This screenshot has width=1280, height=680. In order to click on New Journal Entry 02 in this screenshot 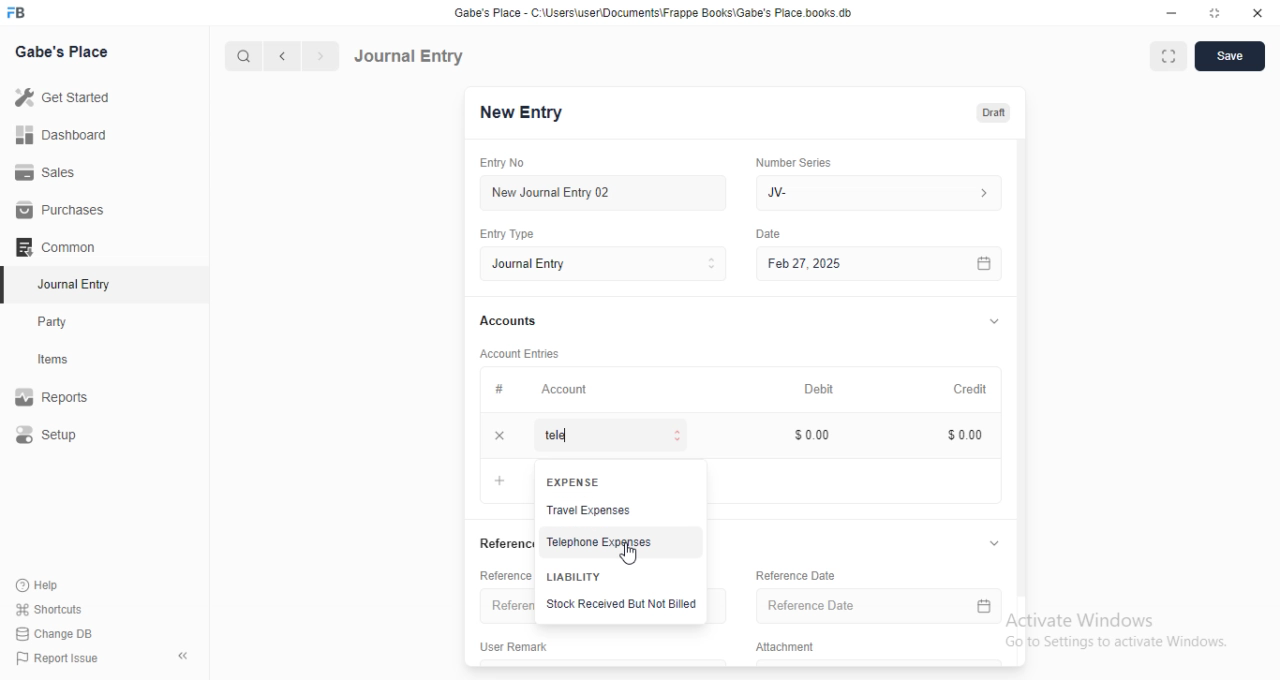, I will do `click(605, 193)`.